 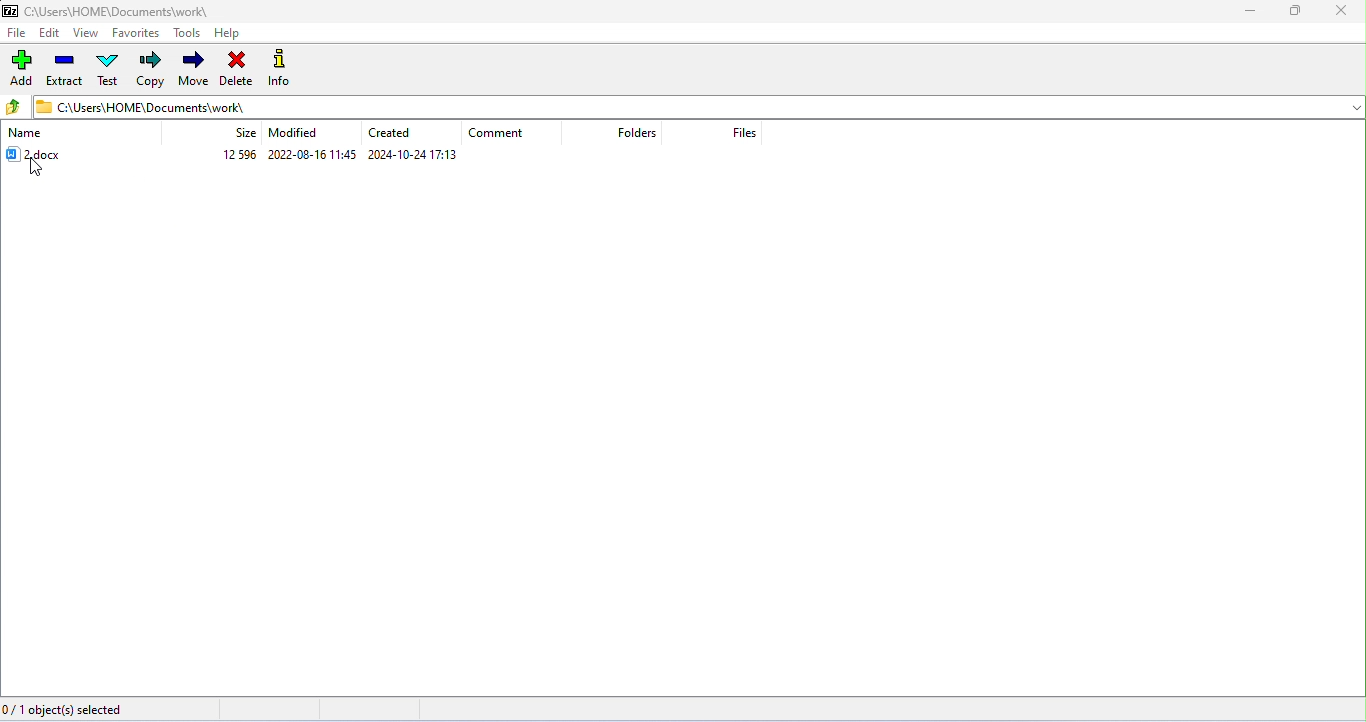 What do you see at coordinates (26, 134) in the screenshot?
I see `name` at bounding box center [26, 134].